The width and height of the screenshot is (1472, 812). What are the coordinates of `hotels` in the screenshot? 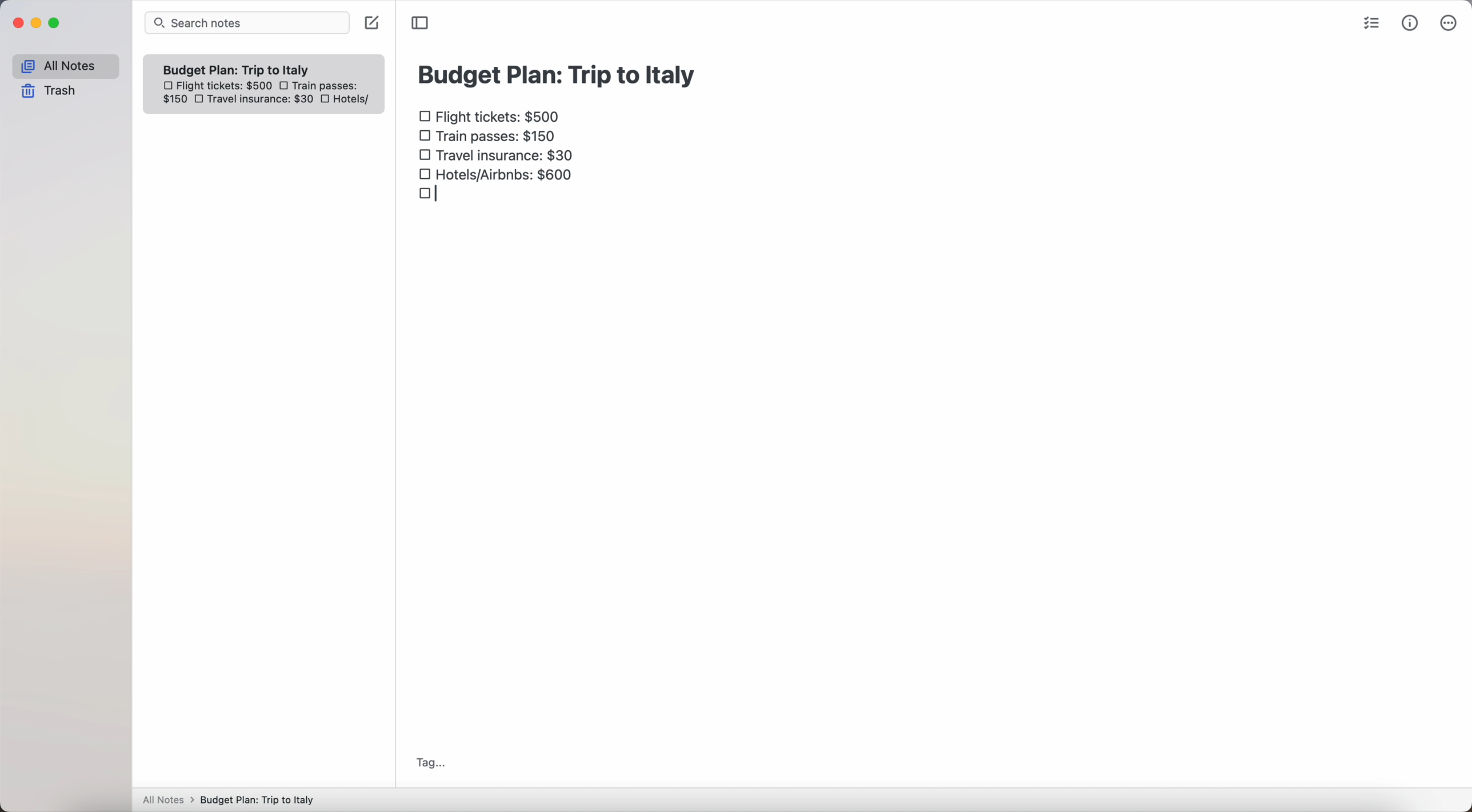 It's located at (357, 100).